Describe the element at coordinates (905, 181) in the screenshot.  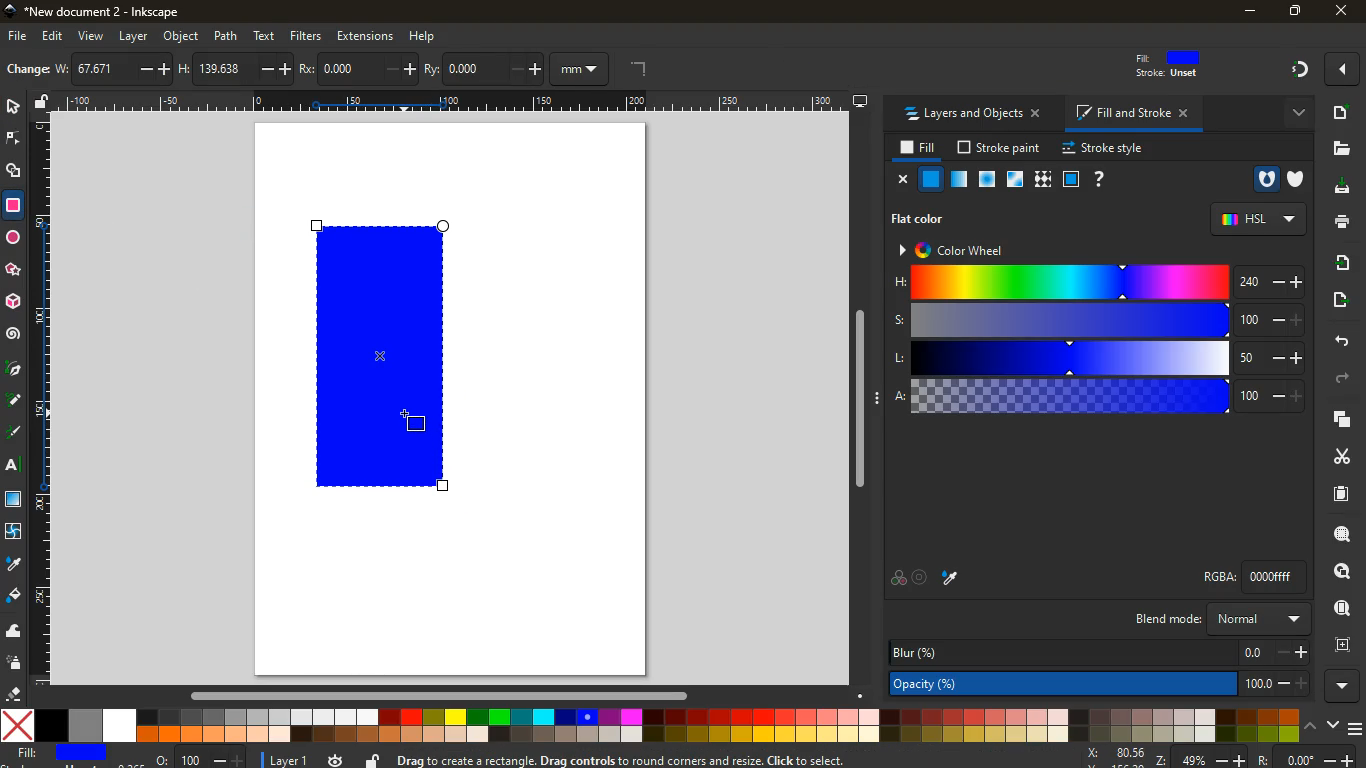
I see `close` at that location.